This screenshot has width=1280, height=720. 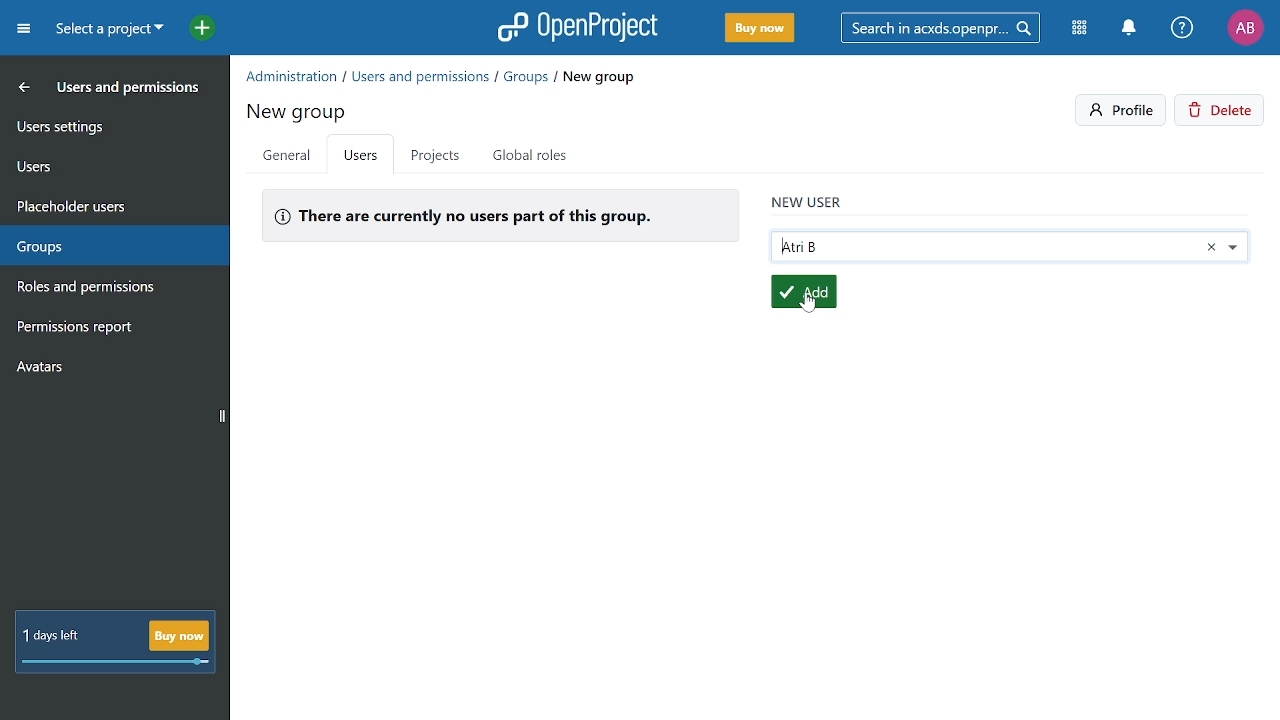 I want to click on Profile, so click(x=1122, y=110).